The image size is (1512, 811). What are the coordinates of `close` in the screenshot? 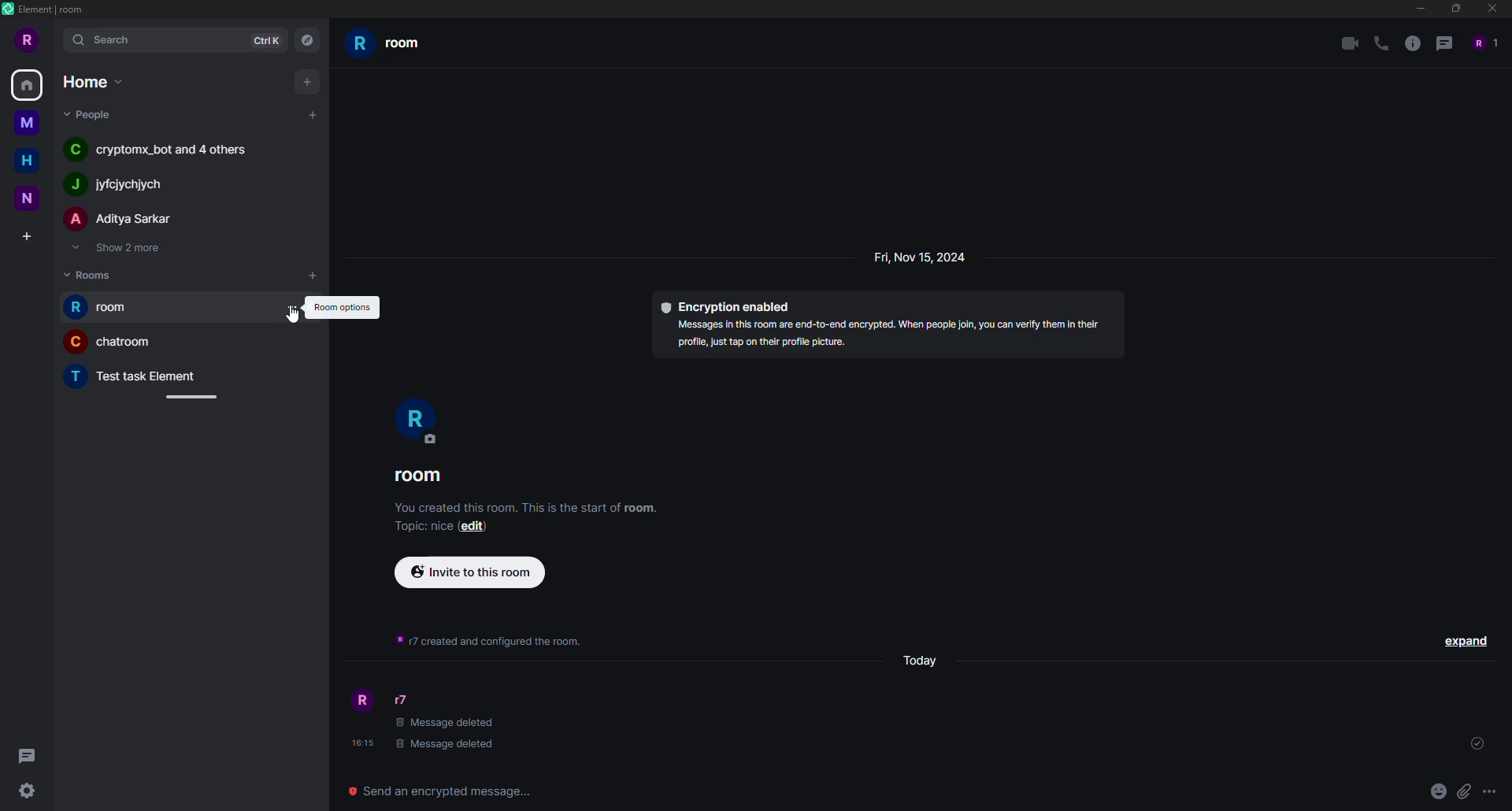 It's located at (1493, 9).